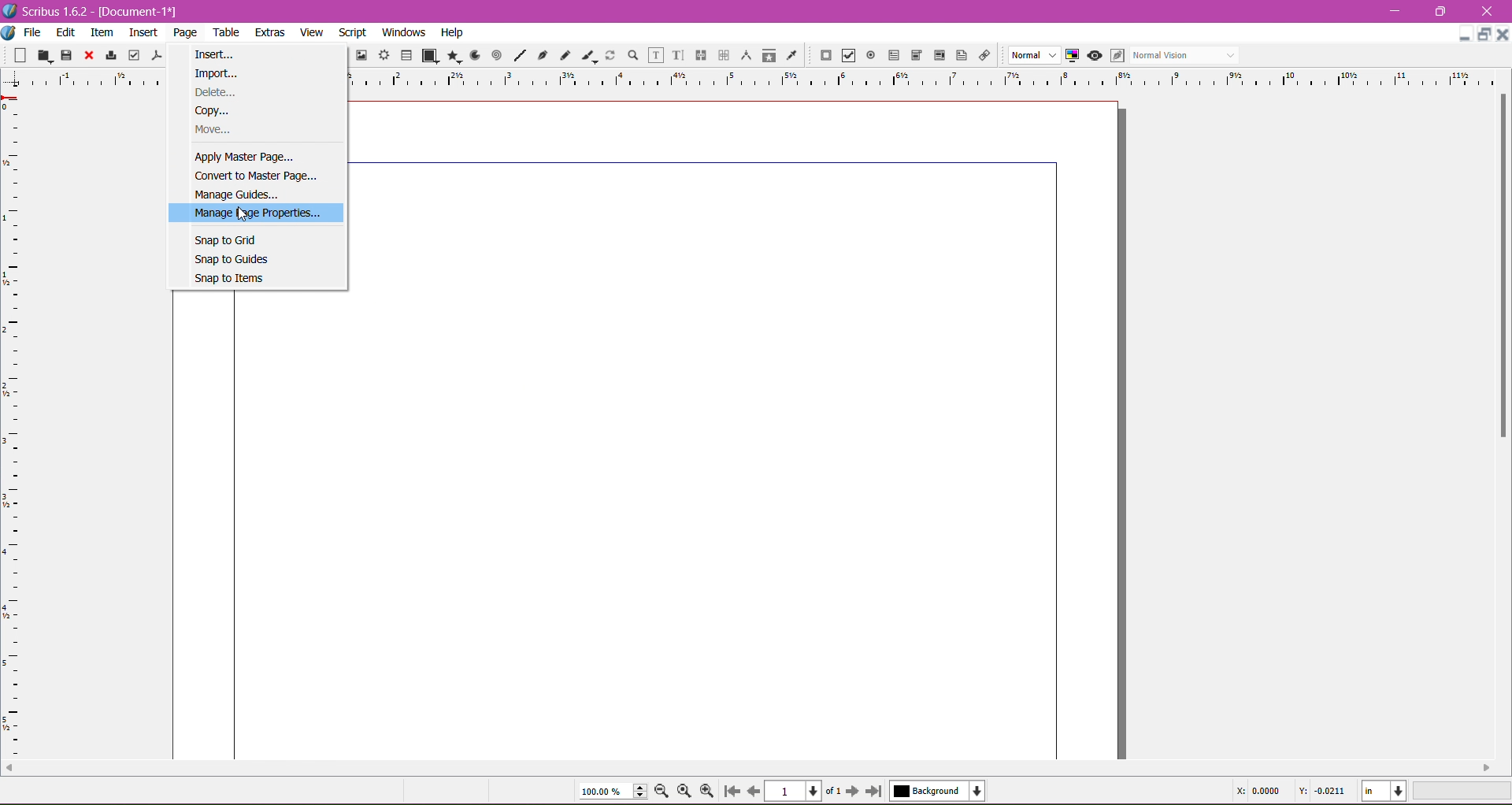 The height and width of the screenshot is (805, 1512). Describe the element at coordinates (231, 240) in the screenshot. I see `Snap to Grid` at that location.